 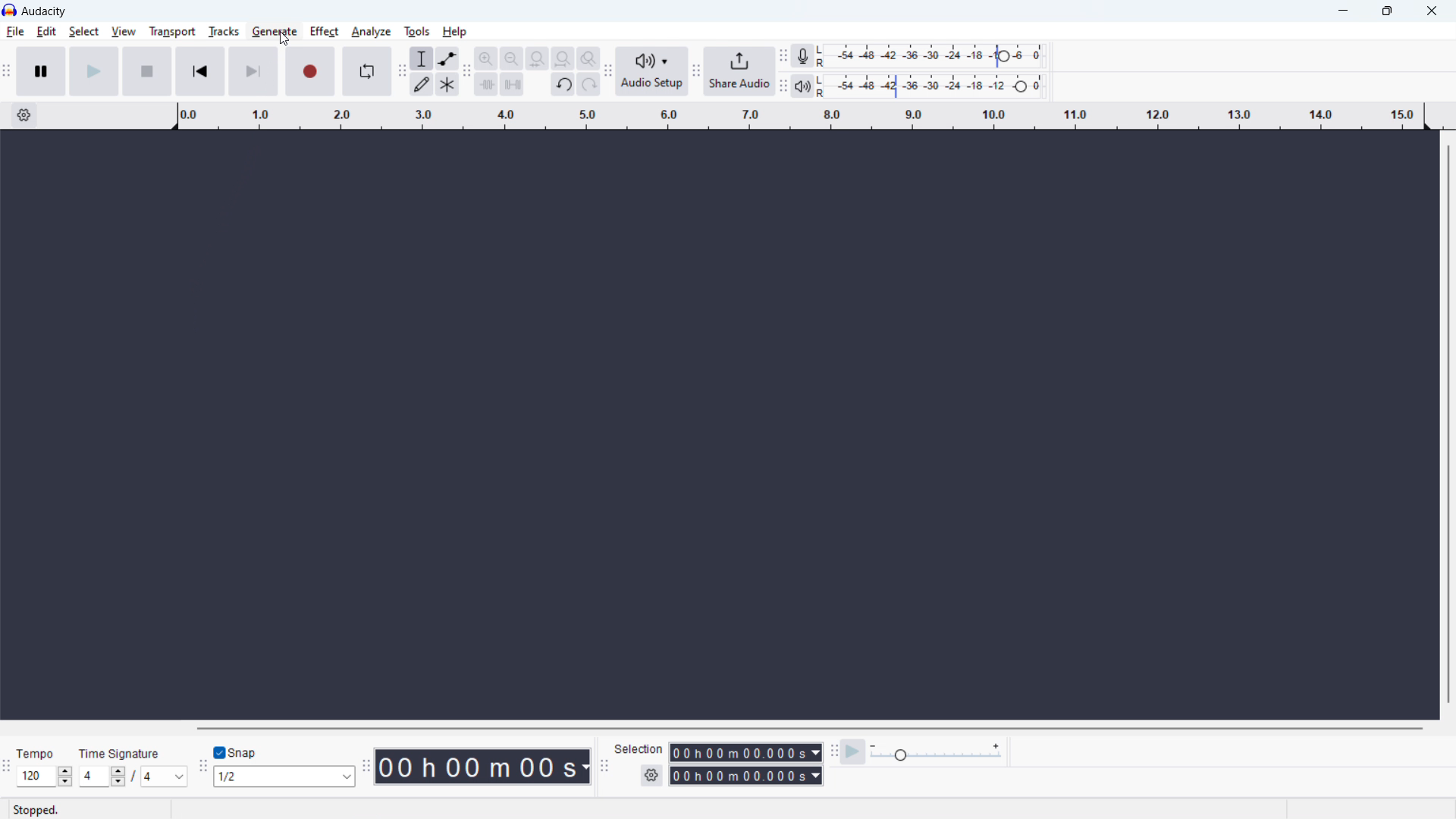 I want to click on silence audio selection, so click(x=512, y=84).